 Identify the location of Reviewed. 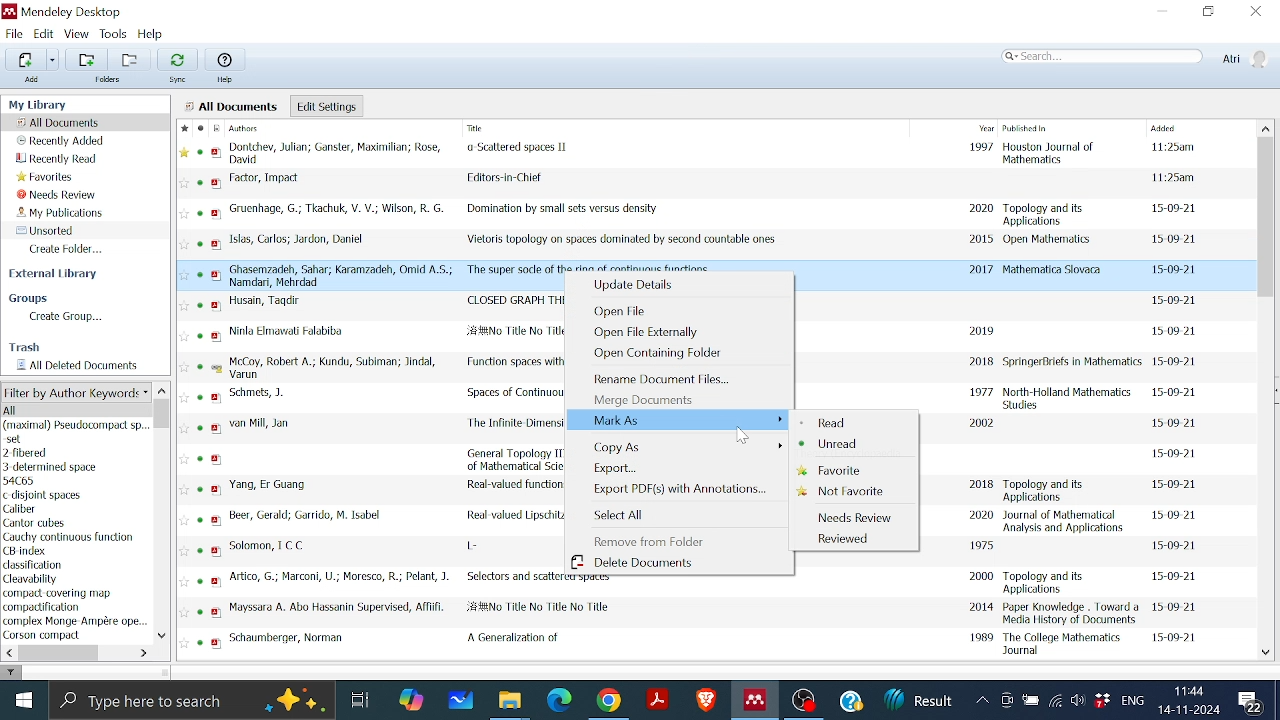
(851, 540).